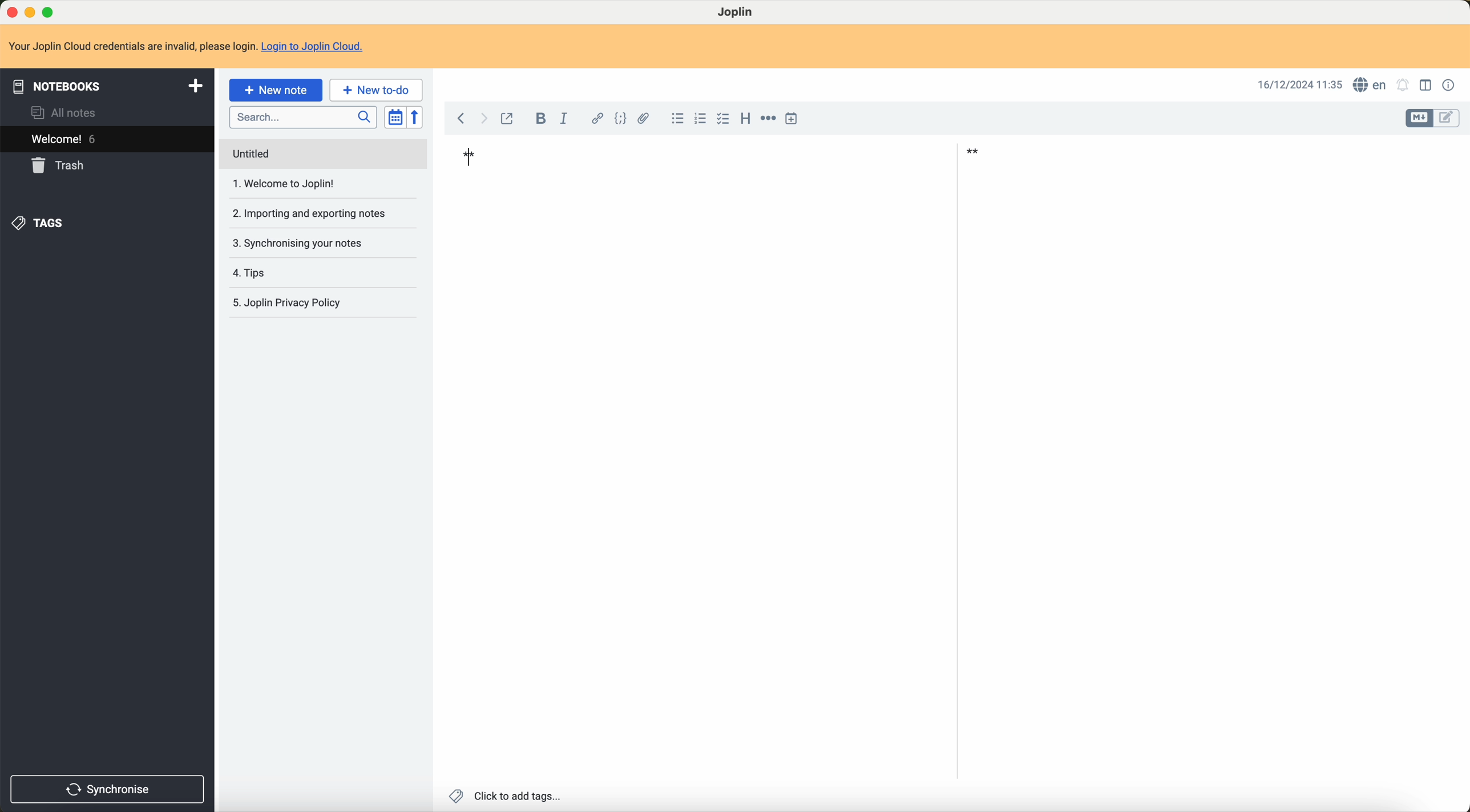 The width and height of the screenshot is (1470, 812). What do you see at coordinates (66, 140) in the screenshot?
I see `welcome` at bounding box center [66, 140].